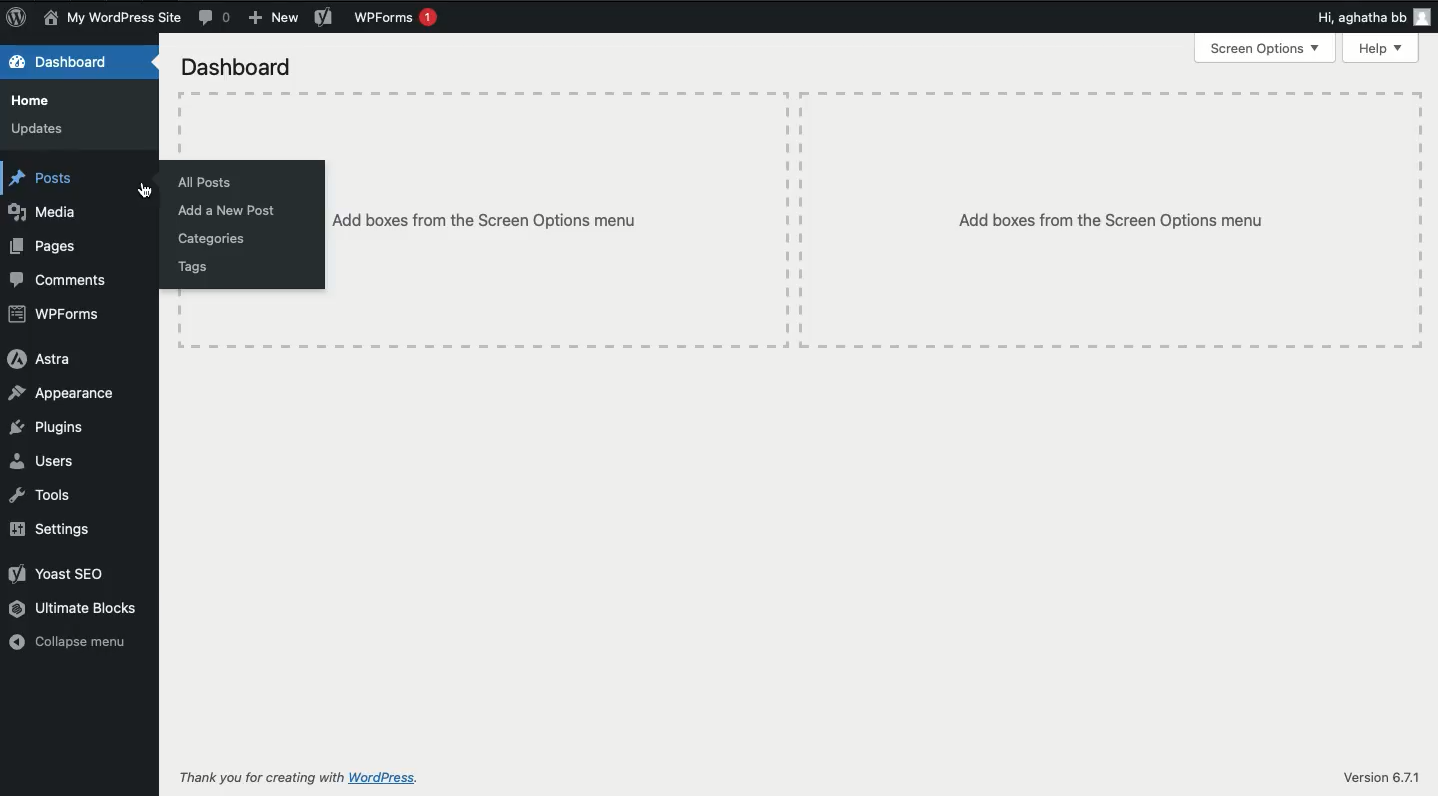 The image size is (1438, 796). I want to click on Appearance, so click(64, 396).